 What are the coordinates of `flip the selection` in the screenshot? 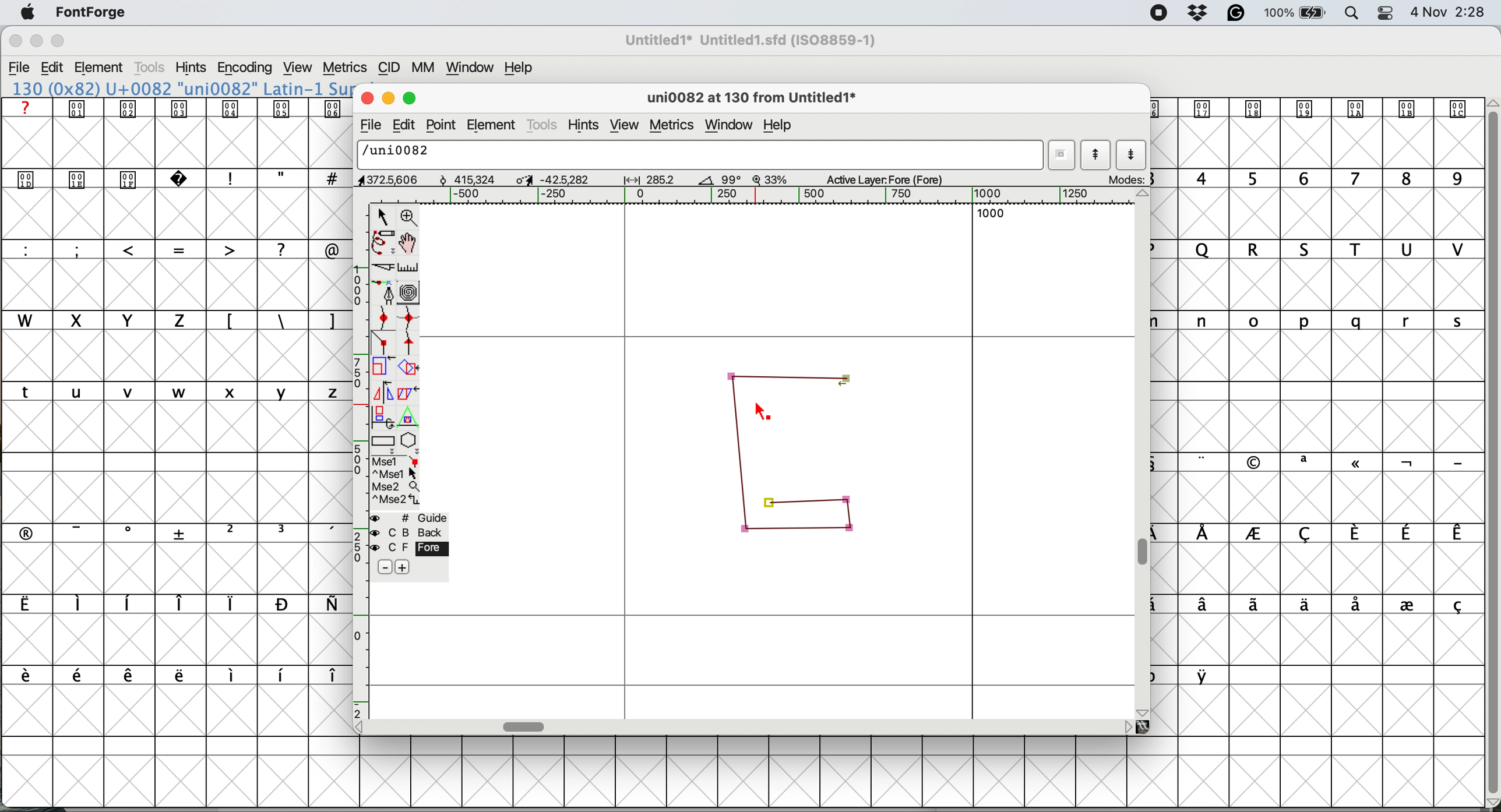 It's located at (381, 393).